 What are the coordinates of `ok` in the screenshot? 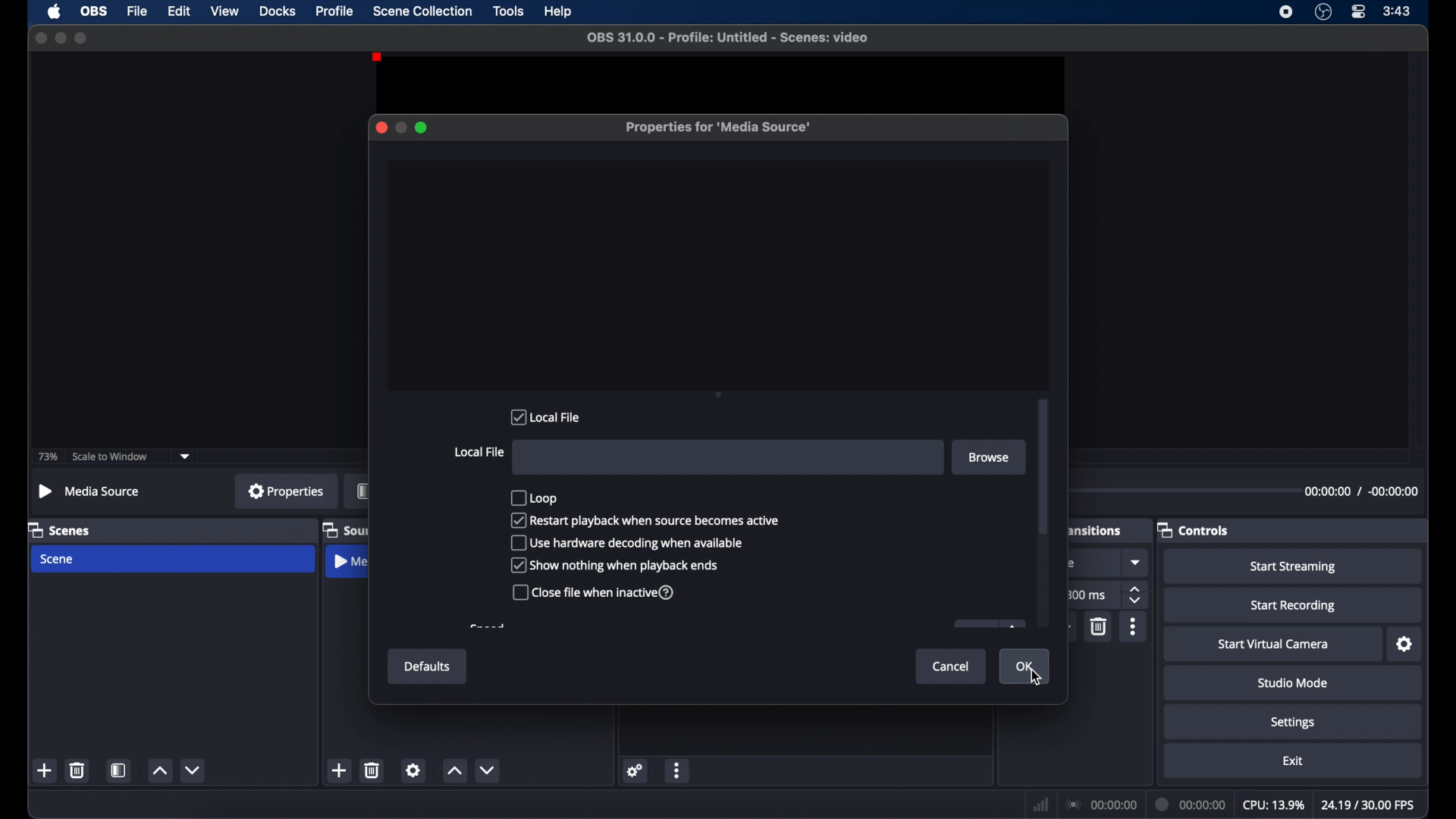 It's located at (1025, 667).